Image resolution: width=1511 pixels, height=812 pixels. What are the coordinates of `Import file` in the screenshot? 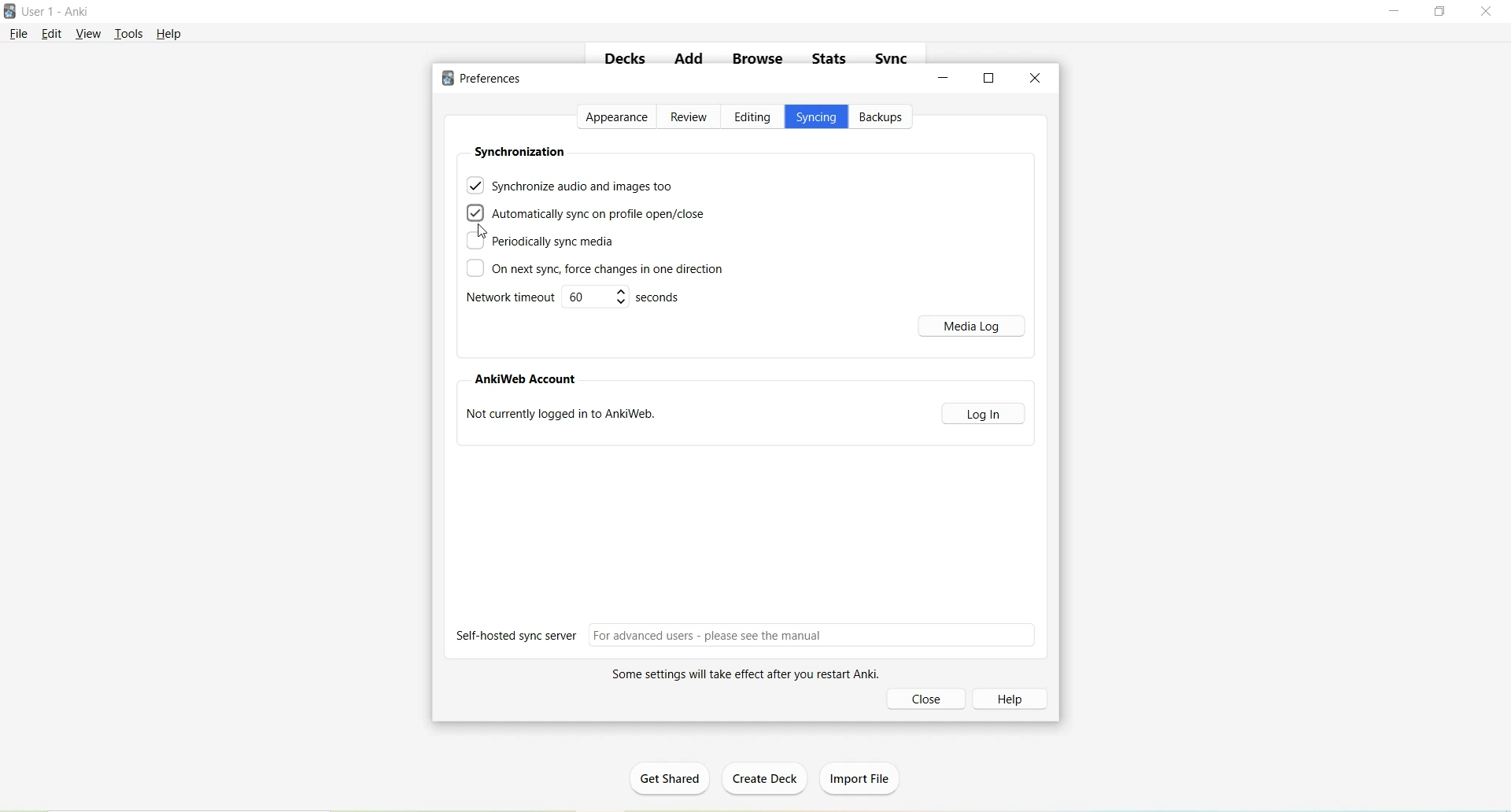 It's located at (863, 776).